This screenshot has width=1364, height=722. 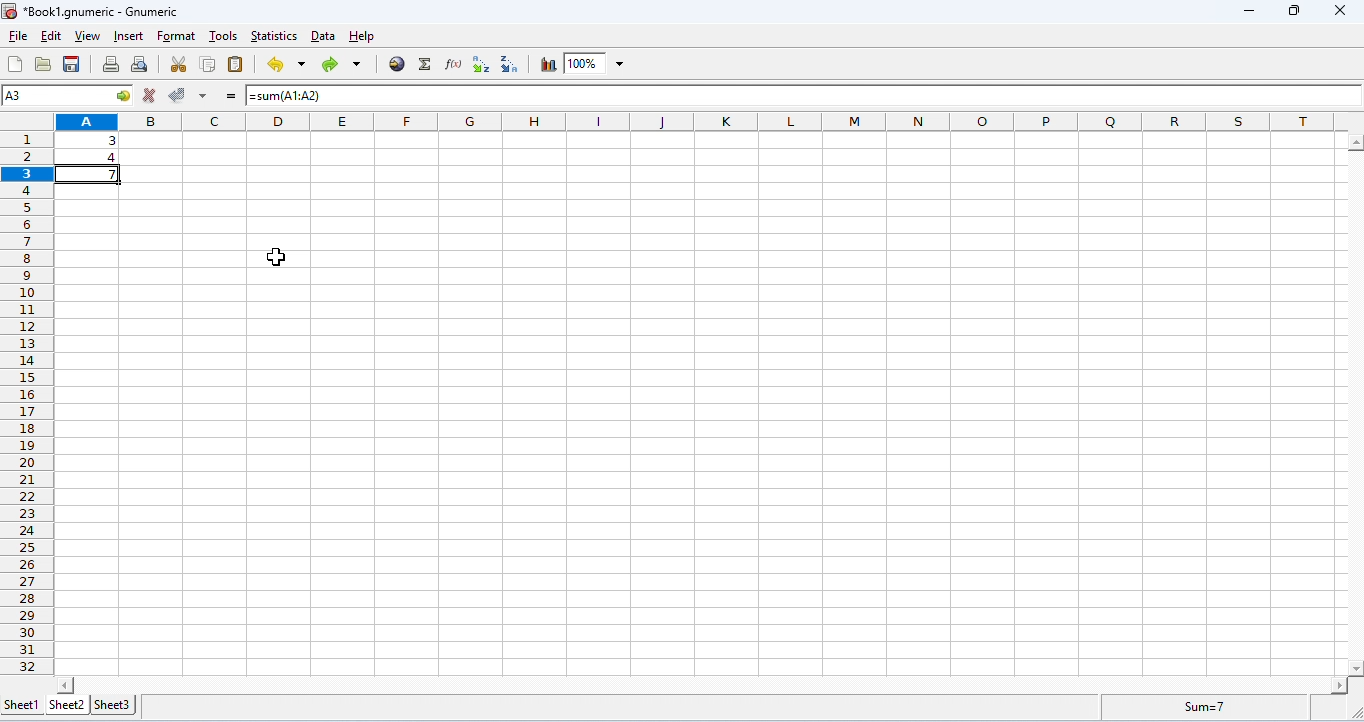 I want to click on formula, so click(x=1196, y=707).